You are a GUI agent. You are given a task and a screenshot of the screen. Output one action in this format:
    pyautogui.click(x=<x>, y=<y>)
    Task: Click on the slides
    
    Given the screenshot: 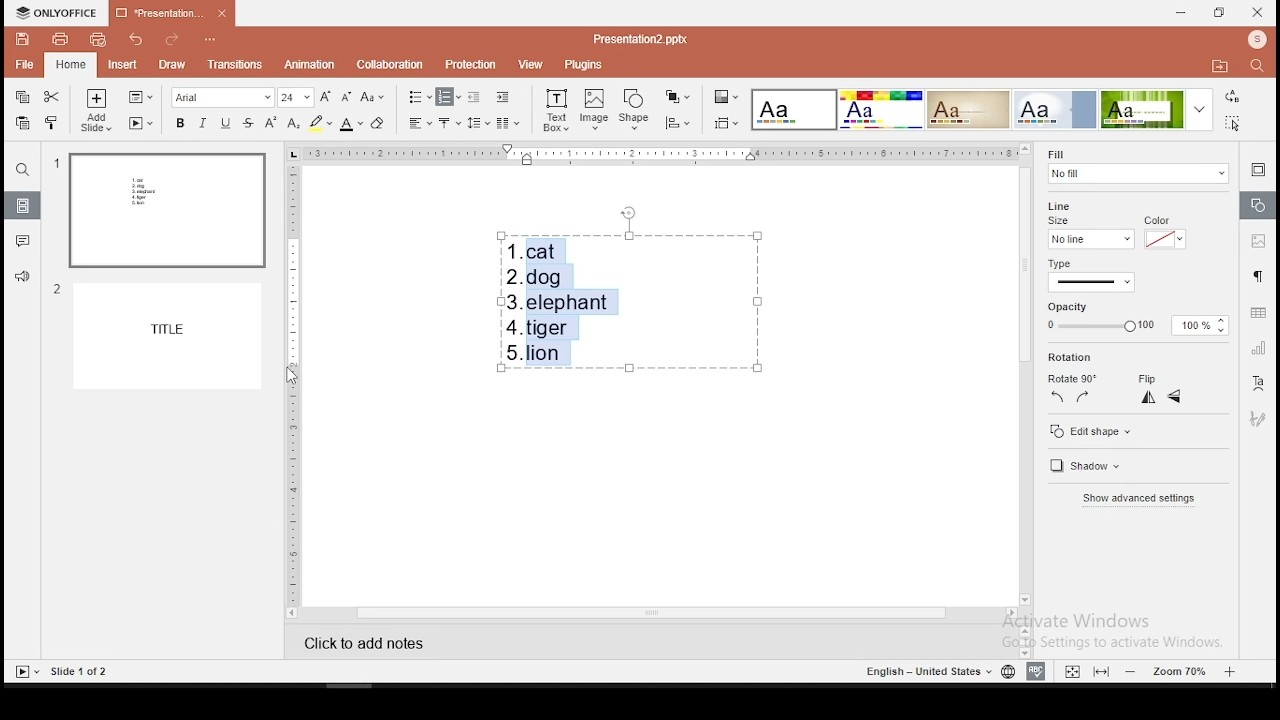 What is the action you would take?
    pyautogui.click(x=22, y=206)
    